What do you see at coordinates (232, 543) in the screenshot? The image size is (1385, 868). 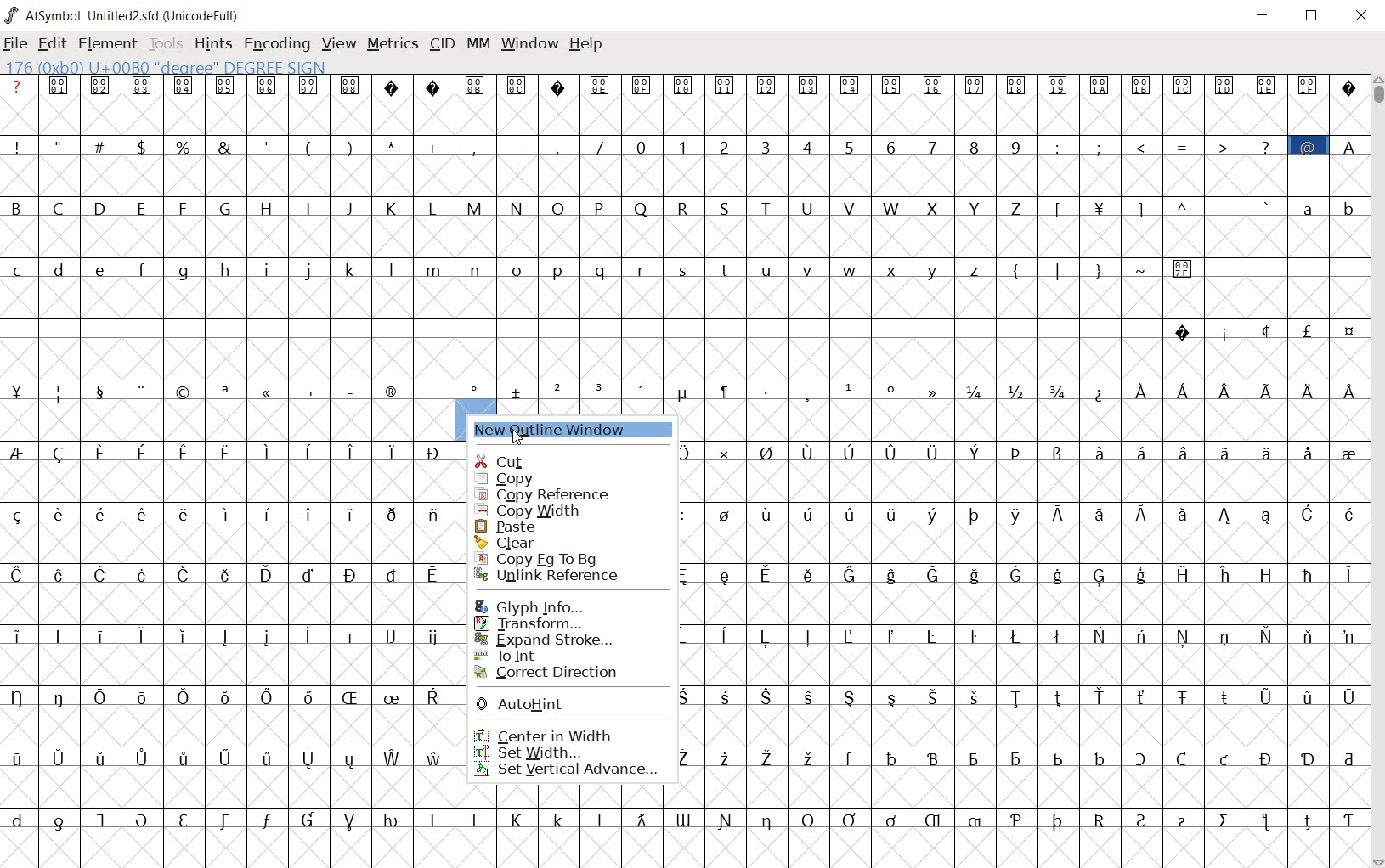 I see `empty glyph slots` at bounding box center [232, 543].